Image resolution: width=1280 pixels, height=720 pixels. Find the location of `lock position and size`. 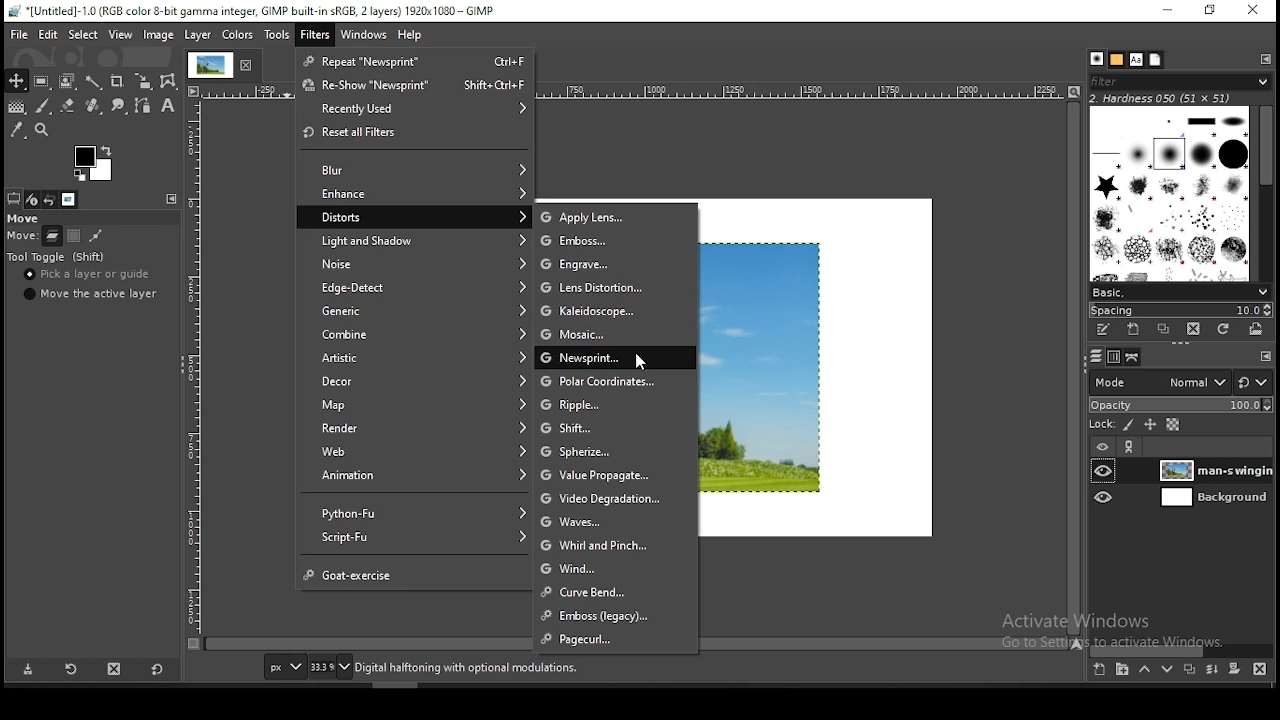

lock position and size is located at coordinates (1149, 426).